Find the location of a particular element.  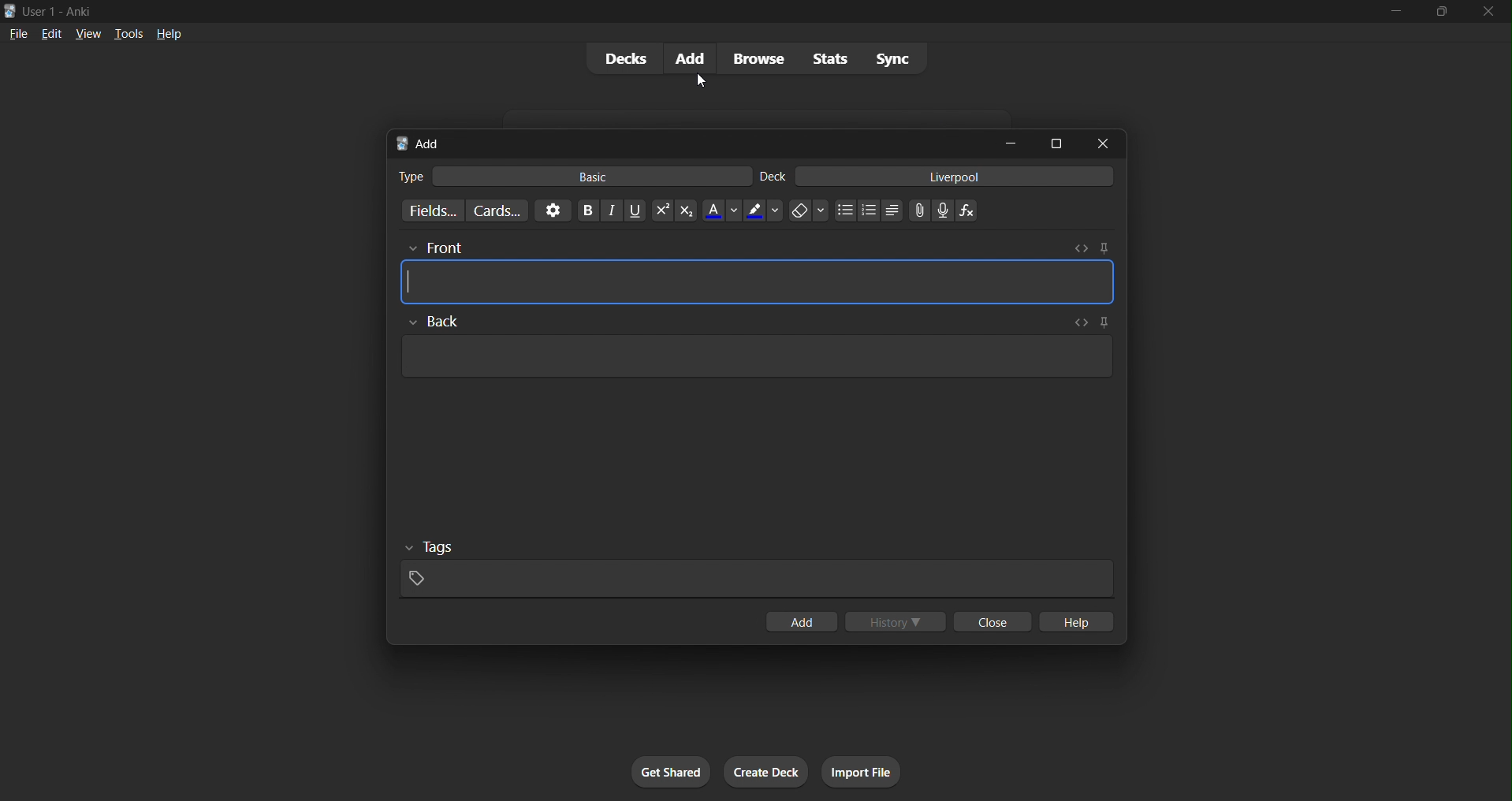

get shared is located at coordinates (665, 773).